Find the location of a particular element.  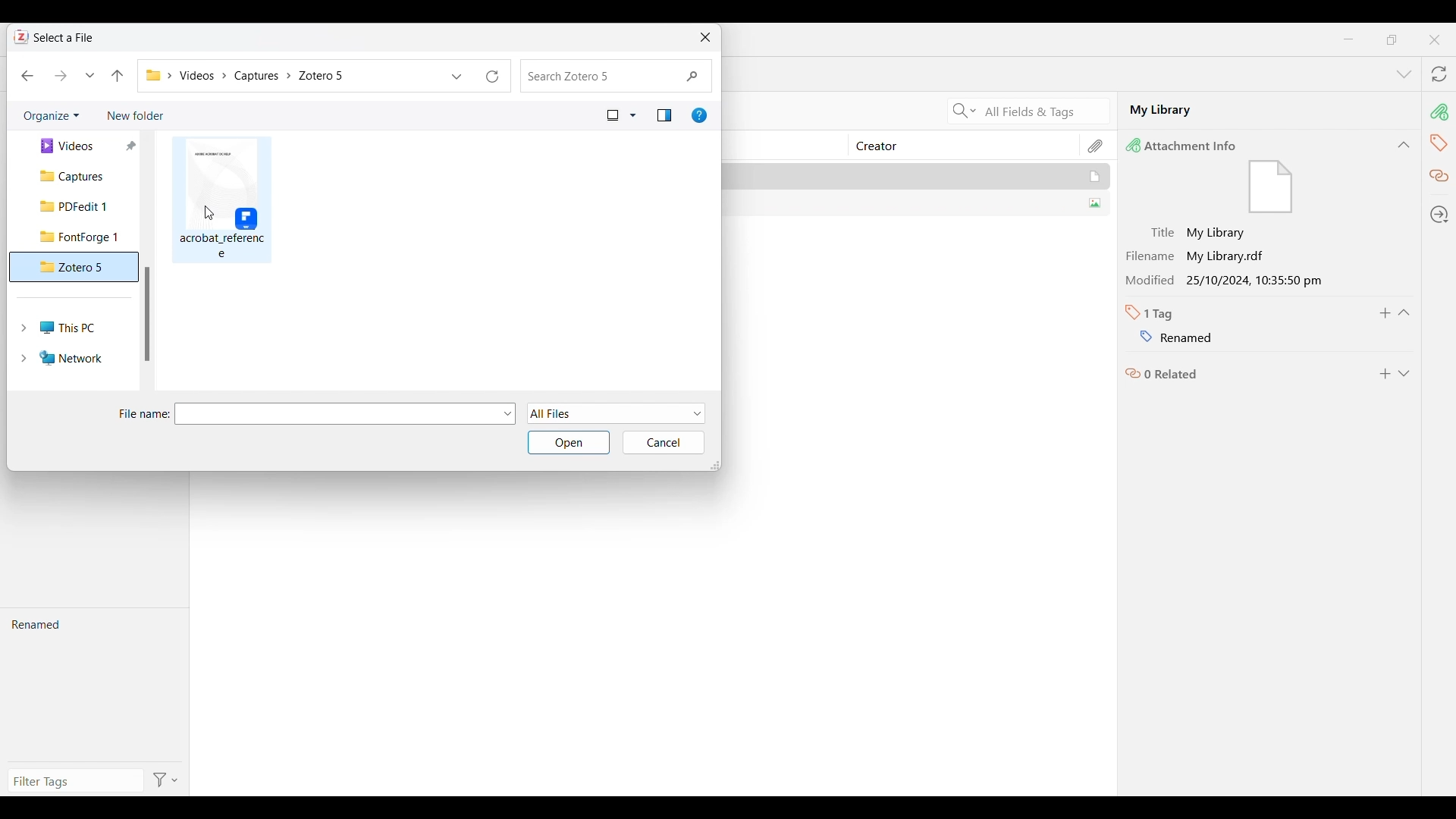

My Library is located at coordinates (1266, 112).